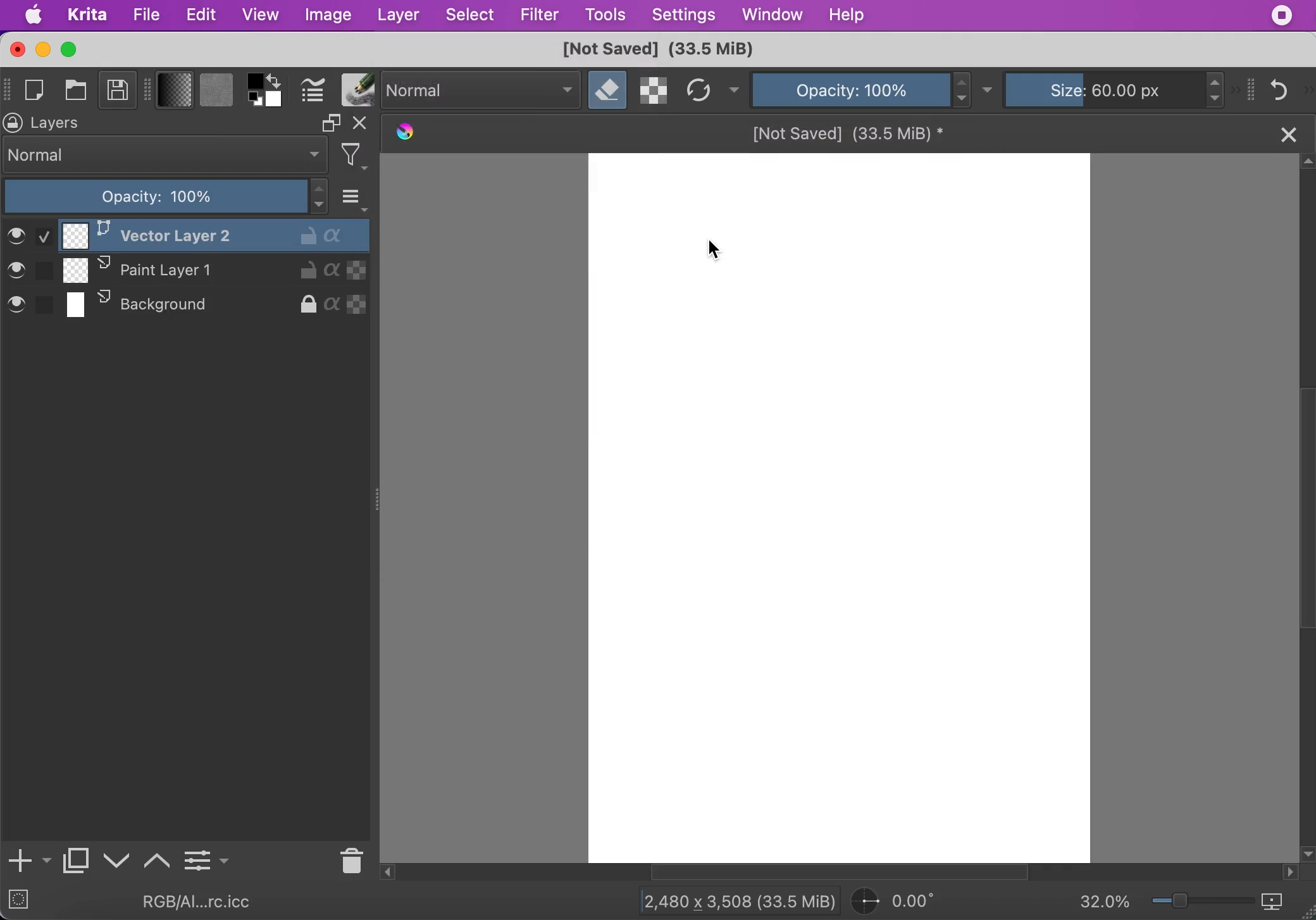  Describe the element at coordinates (71, 49) in the screenshot. I see `maximize` at that location.